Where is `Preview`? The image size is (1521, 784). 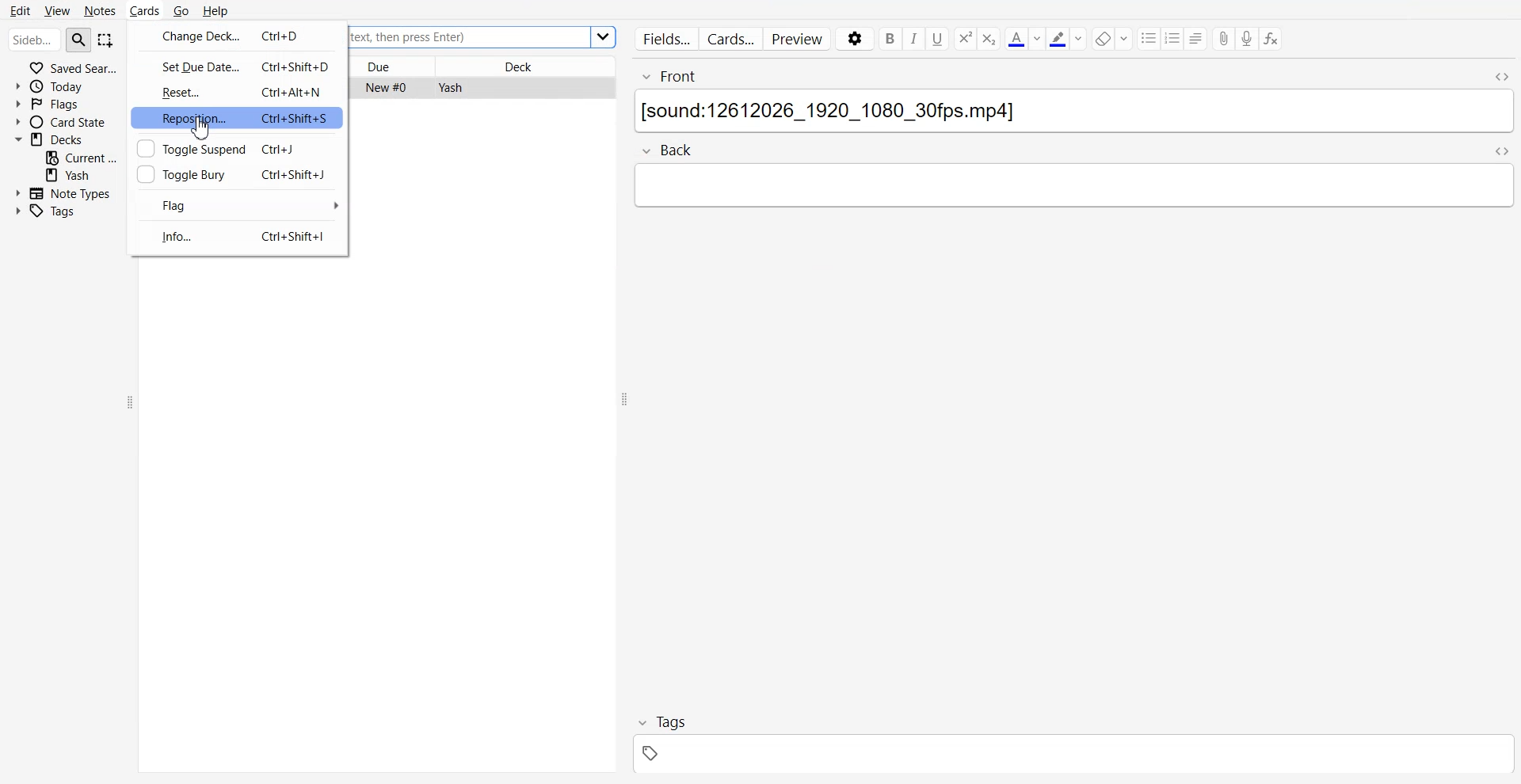
Preview is located at coordinates (799, 40).